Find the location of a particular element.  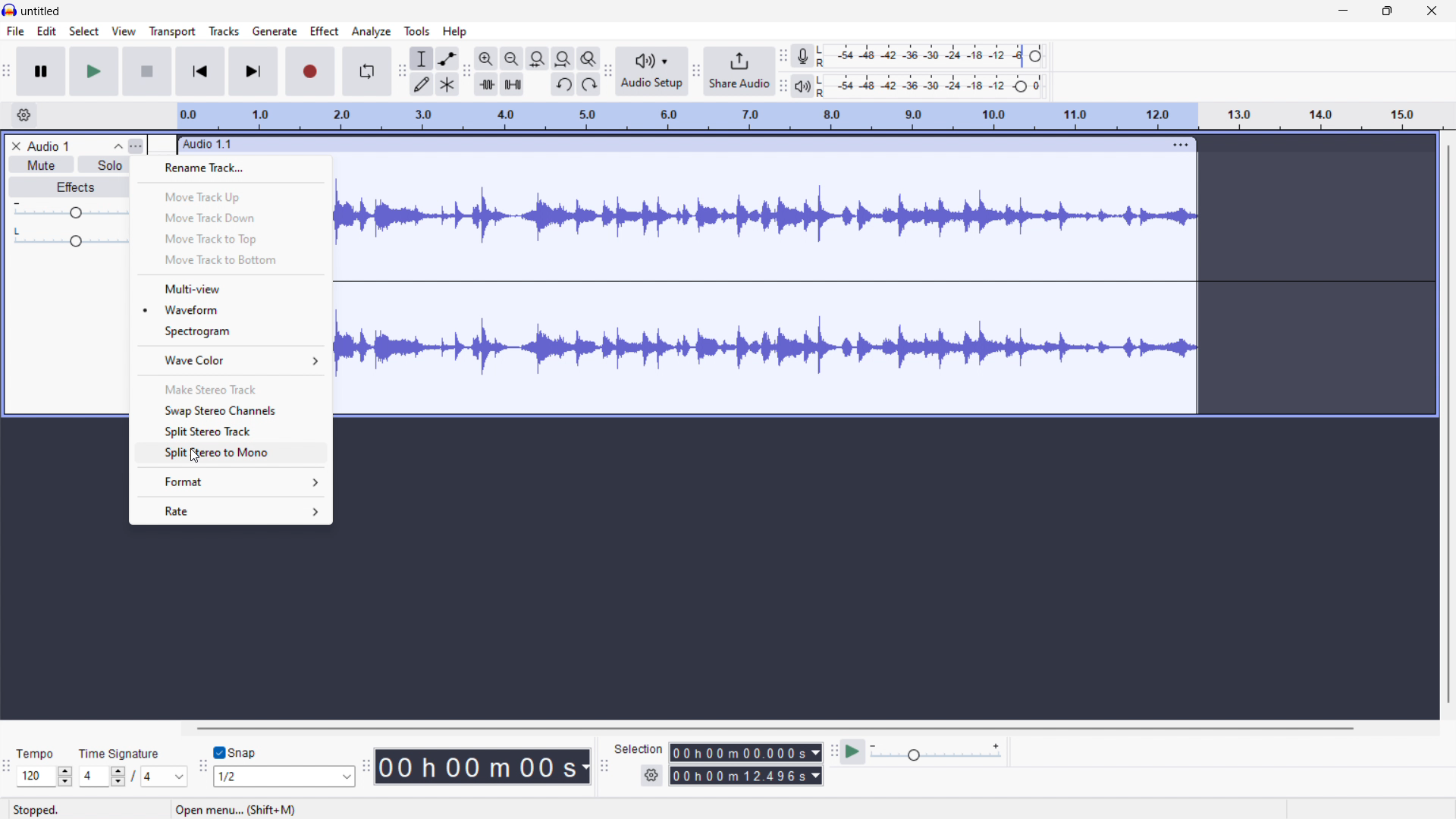

multi-view is located at coordinates (231, 288).